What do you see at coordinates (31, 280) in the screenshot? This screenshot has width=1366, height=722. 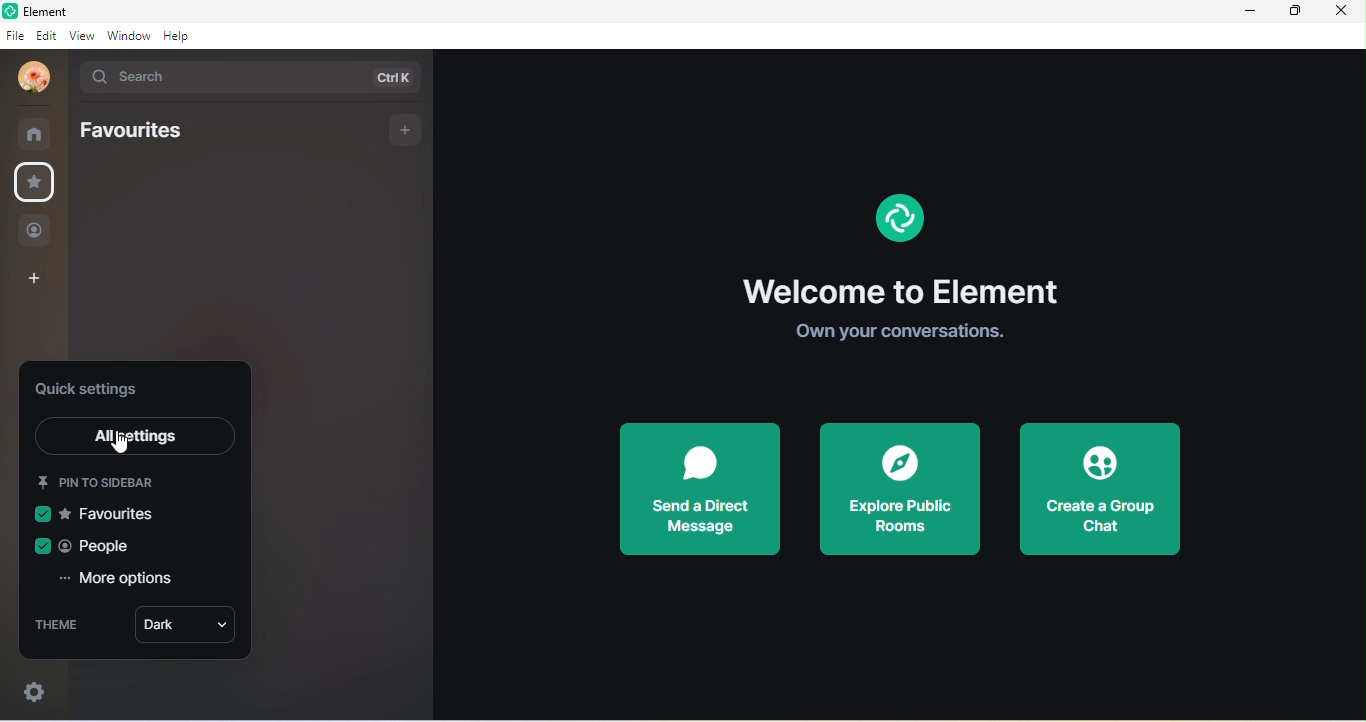 I see `create a space` at bounding box center [31, 280].